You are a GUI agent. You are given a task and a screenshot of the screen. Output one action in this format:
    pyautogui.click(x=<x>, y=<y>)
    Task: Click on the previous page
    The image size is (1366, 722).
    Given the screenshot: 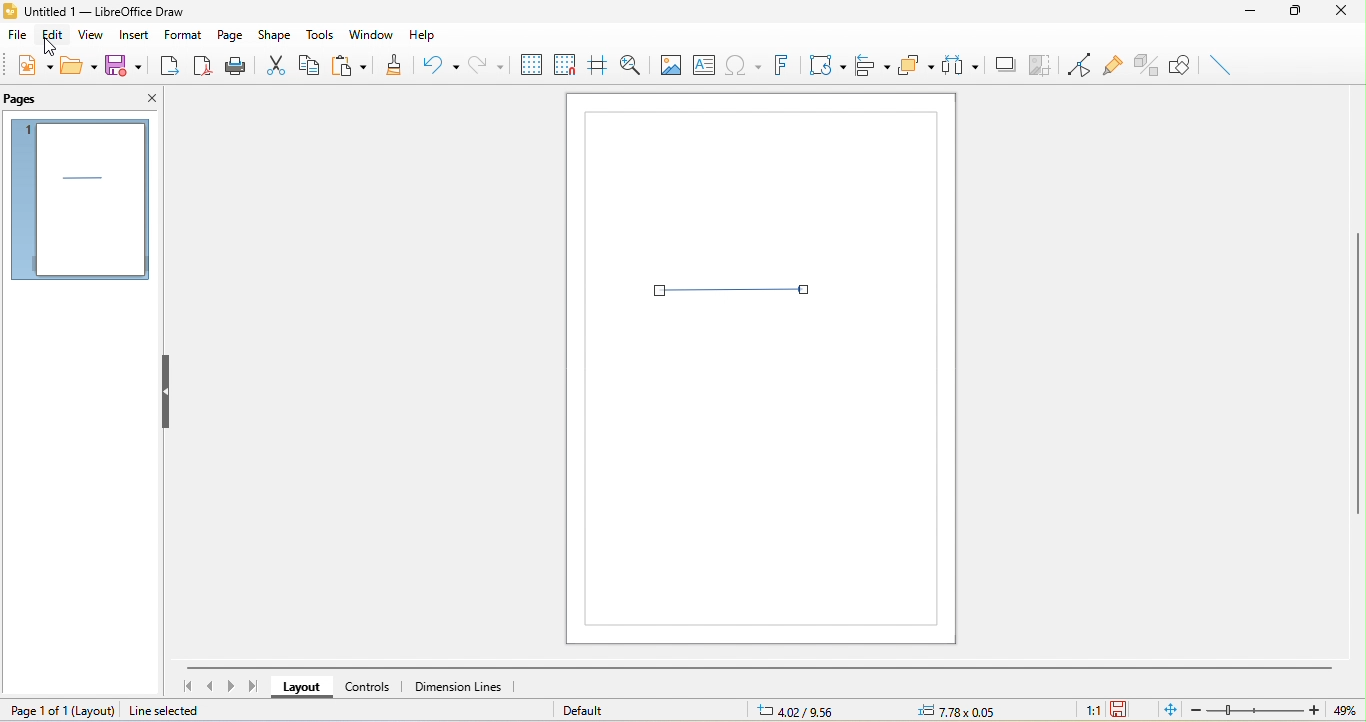 What is the action you would take?
    pyautogui.click(x=210, y=687)
    